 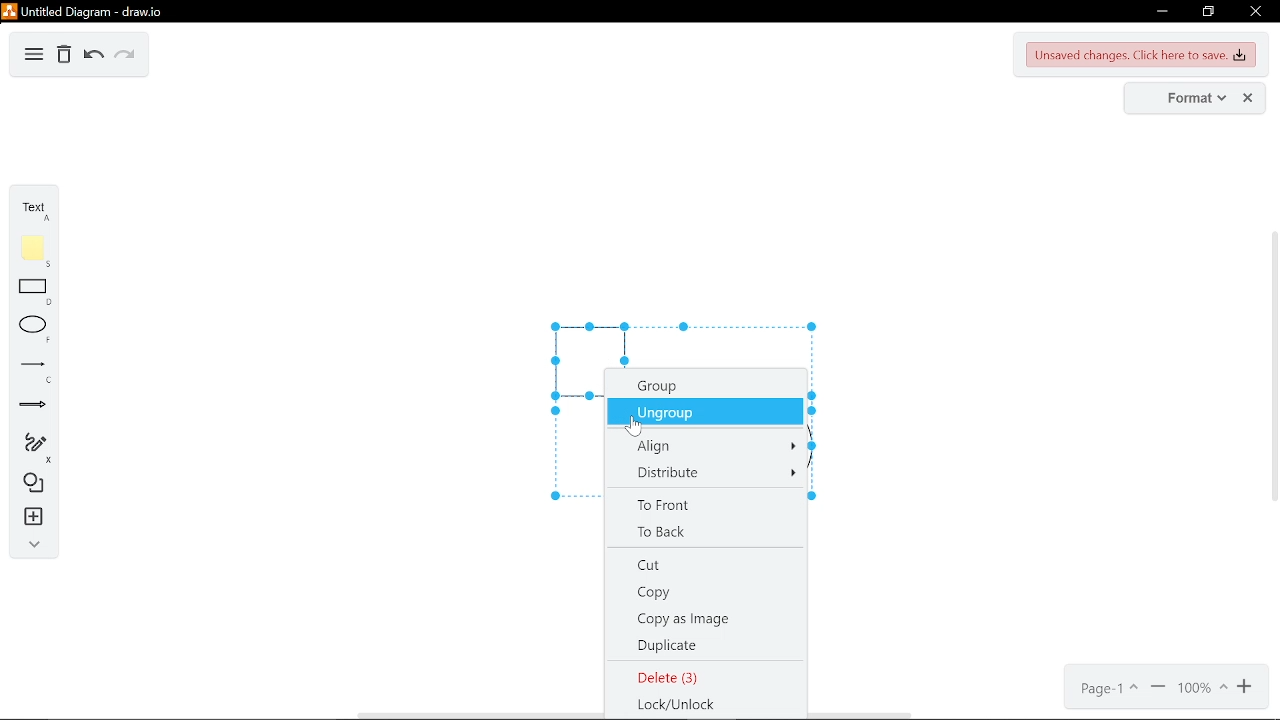 What do you see at coordinates (65, 57) in the screenshot?
I see `delete` at bounding box center [65, 57].